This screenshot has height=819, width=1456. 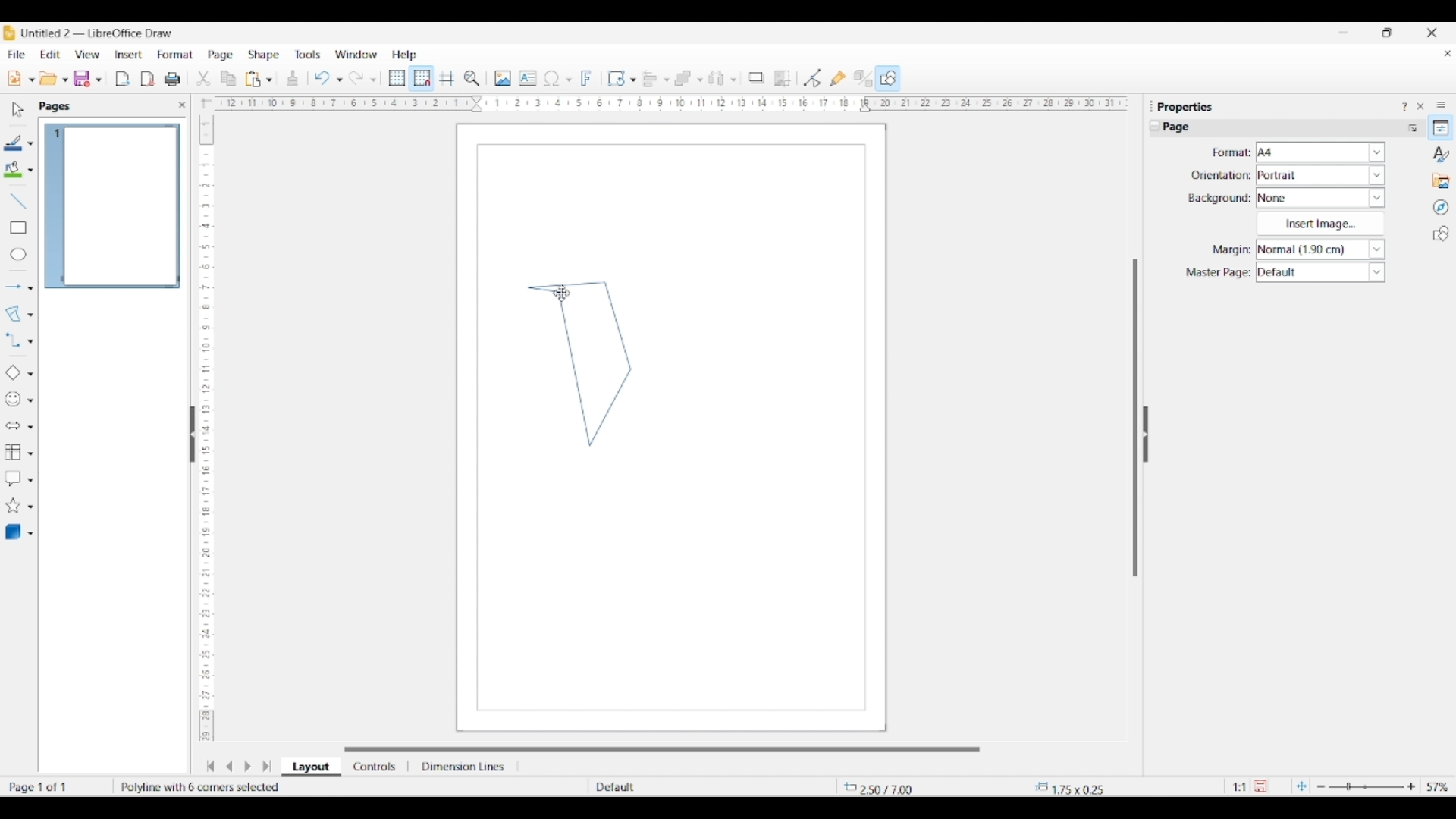 I want to click on Selected open options, so click(x=49, y=79).